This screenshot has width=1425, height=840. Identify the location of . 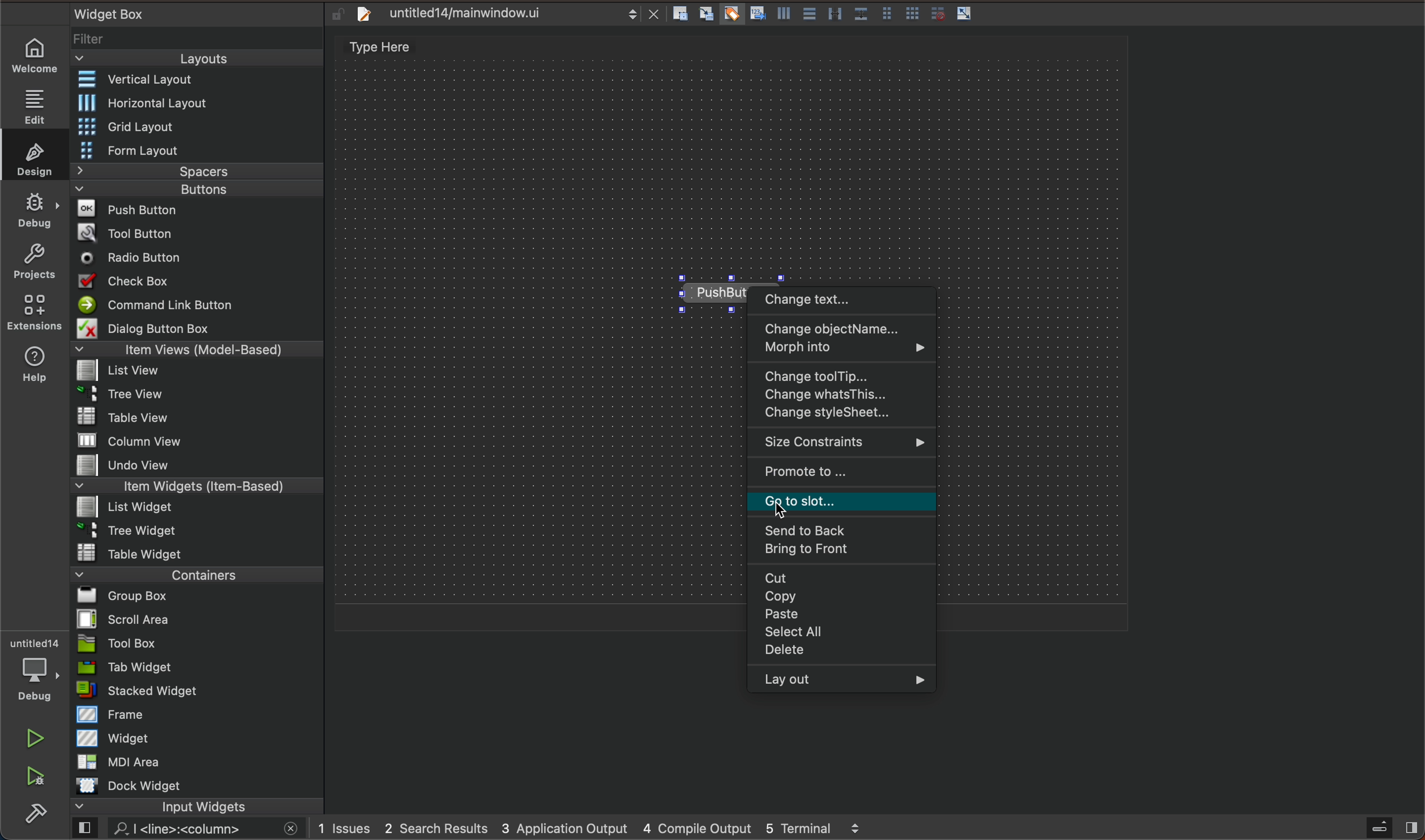
(887, 14).